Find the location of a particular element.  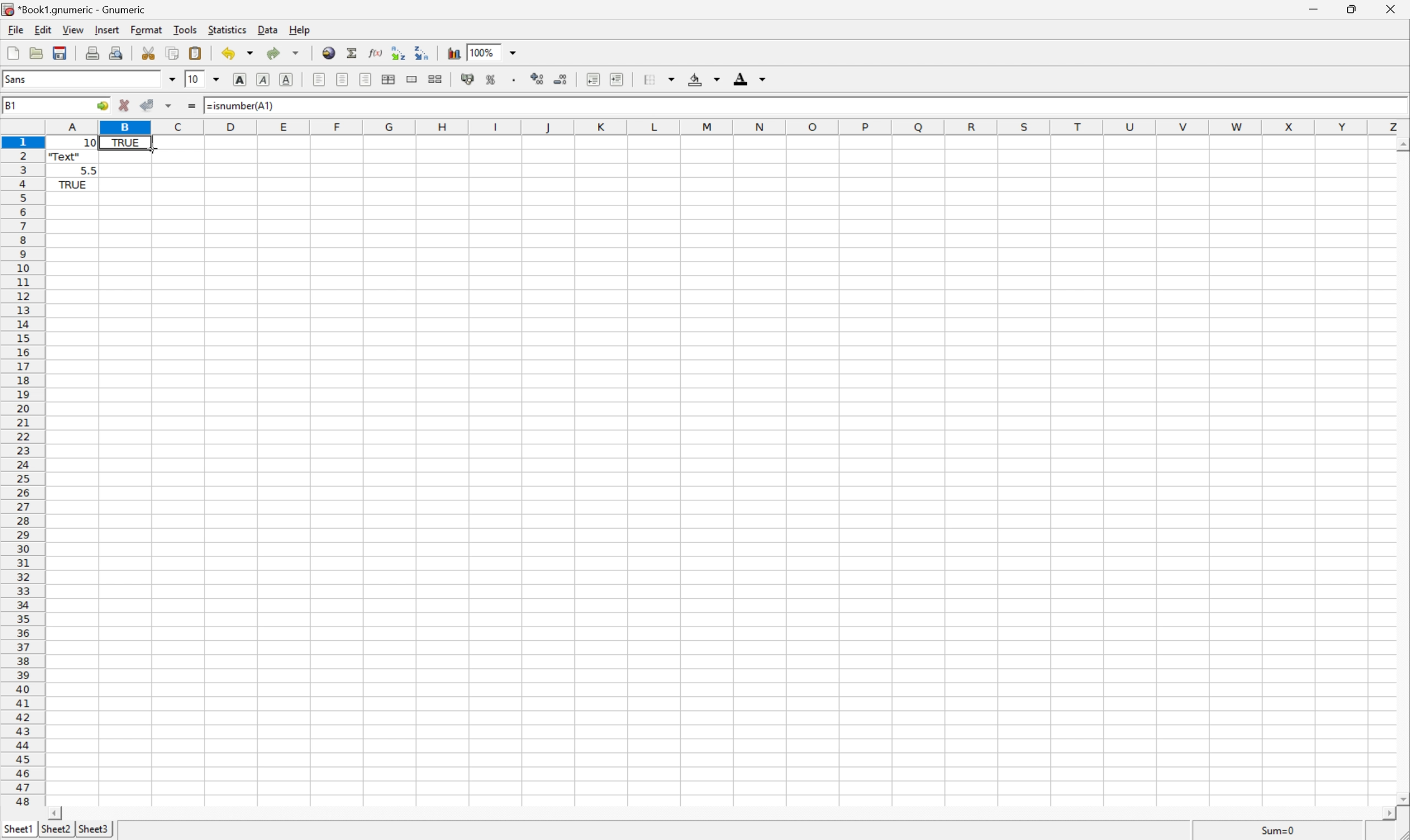

Drop Down is located at coordinates (217, 79).